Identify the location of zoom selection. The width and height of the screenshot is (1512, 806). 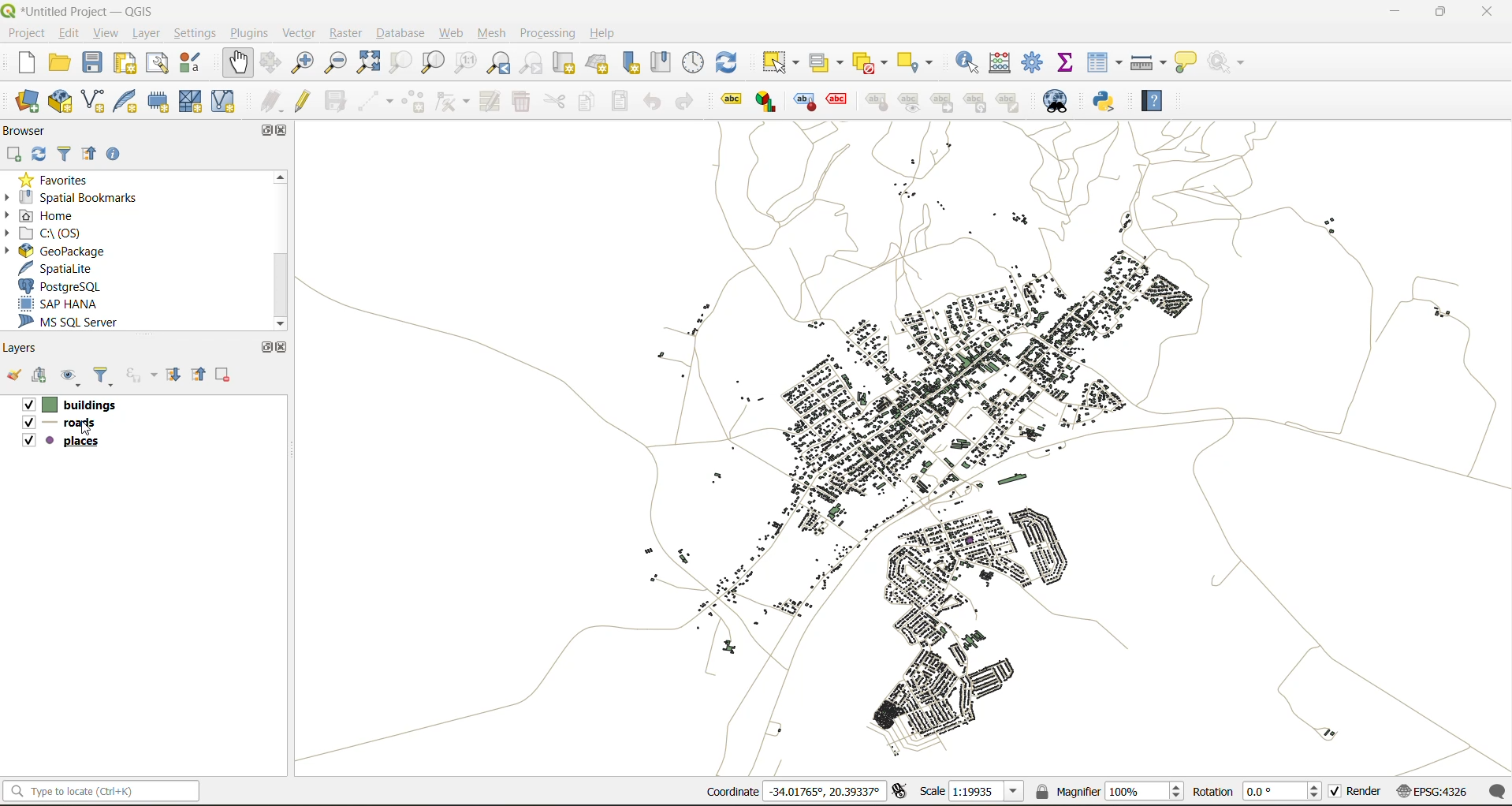
(402, 63).